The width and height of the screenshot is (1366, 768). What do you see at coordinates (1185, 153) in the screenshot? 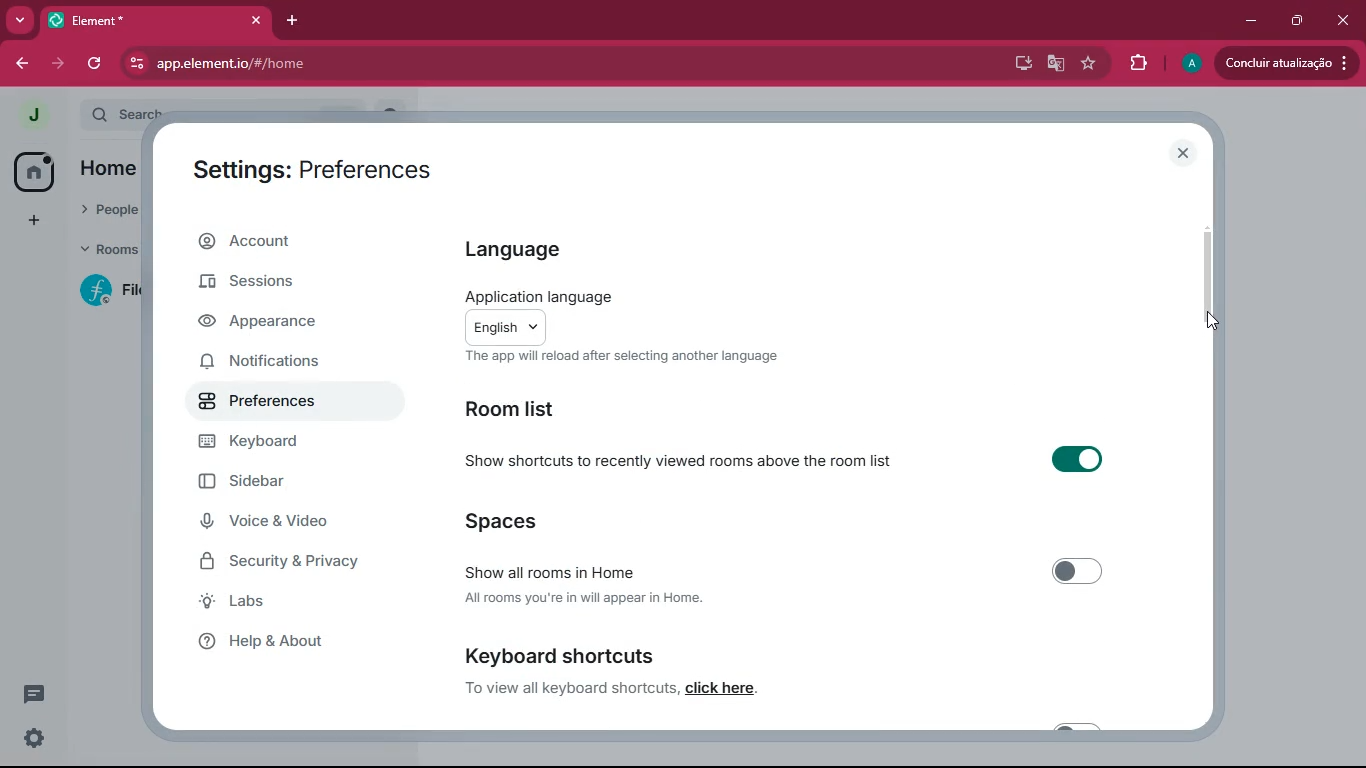
I see `close` at bounding box center [1185, 153].